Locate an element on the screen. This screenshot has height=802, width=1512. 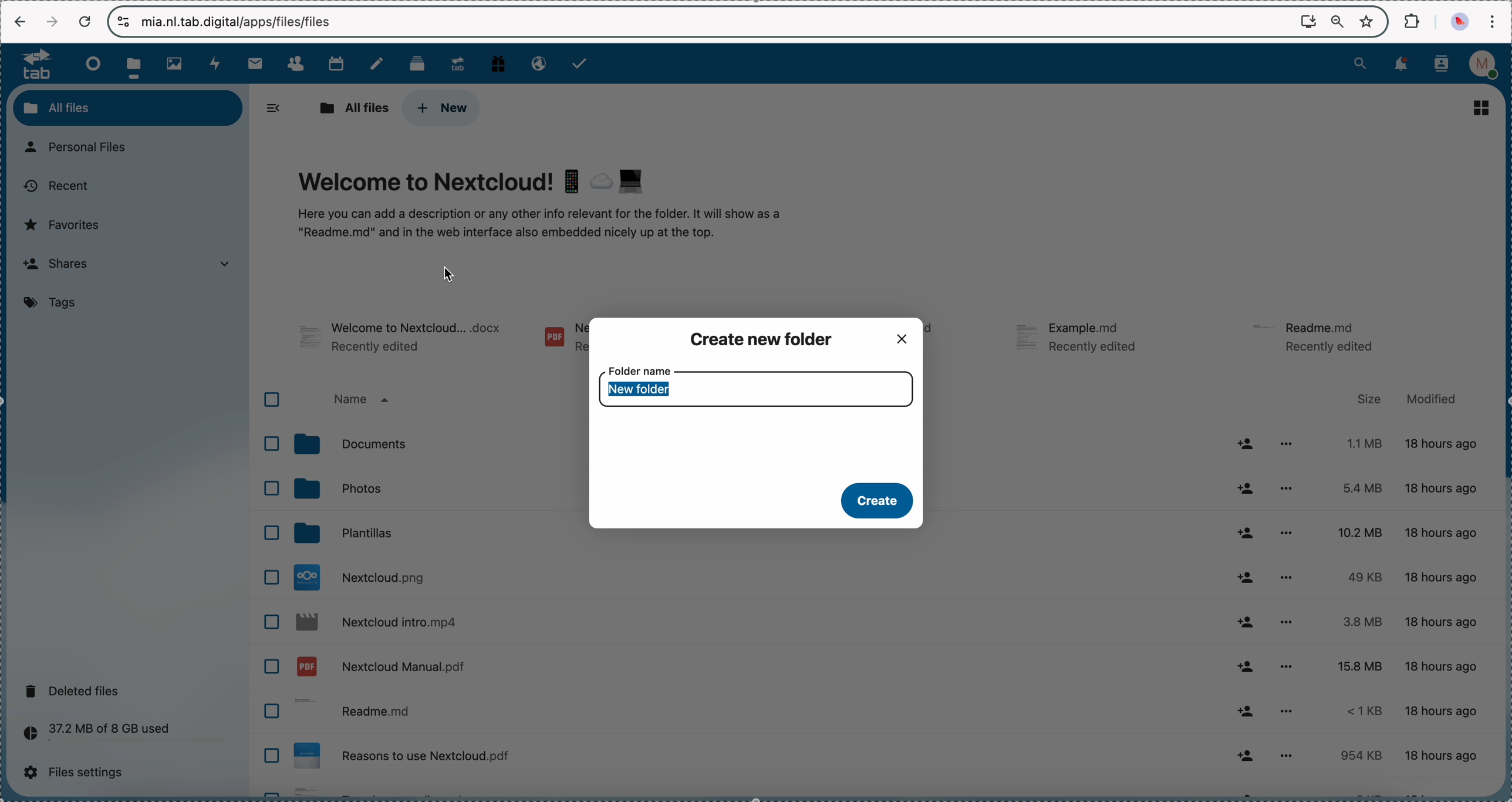
size is located at coordinates (1369, 399).